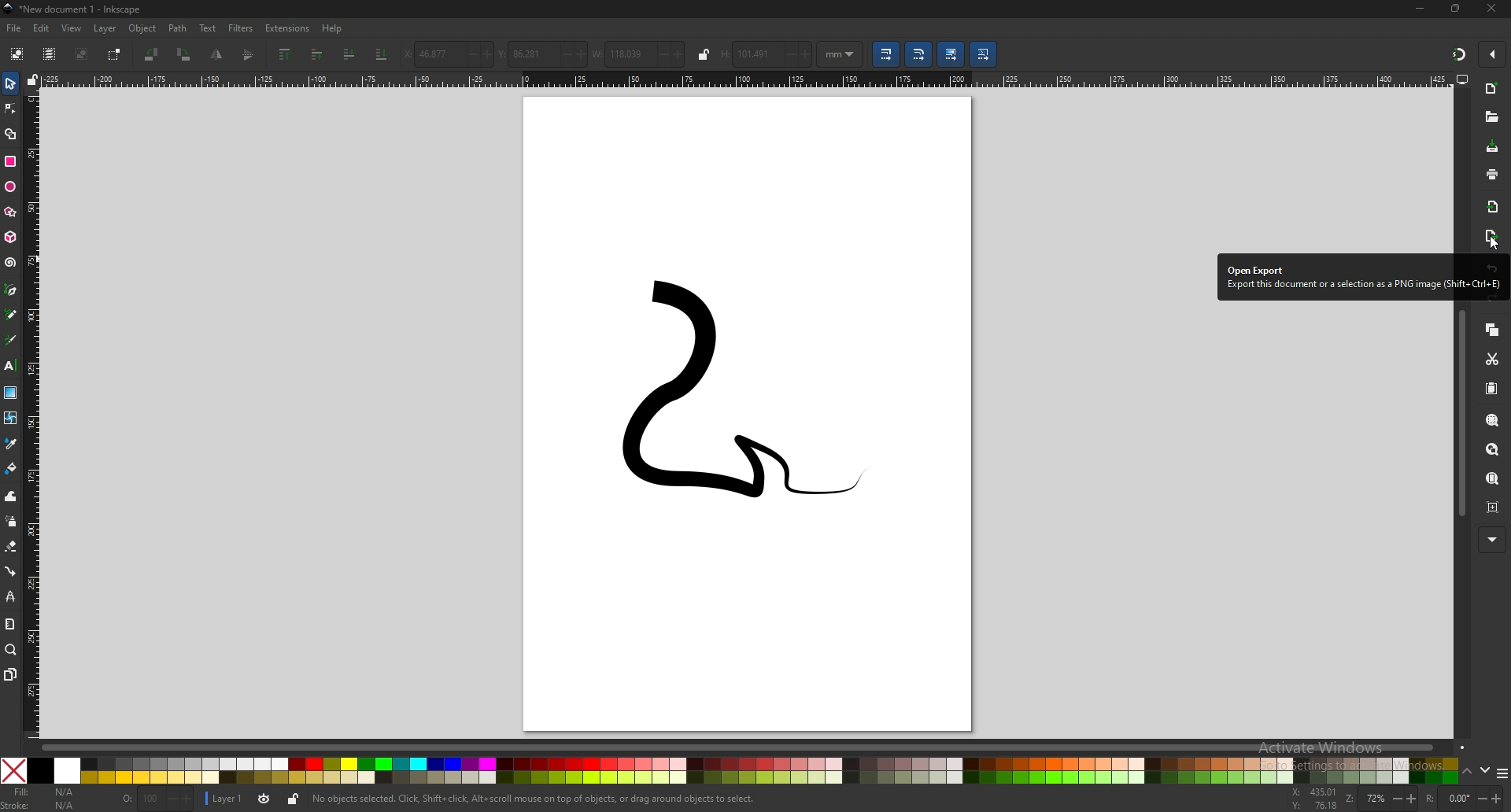 The width and height of the screenshot is (1511, 812). I want to click on object, so click(143, 29).